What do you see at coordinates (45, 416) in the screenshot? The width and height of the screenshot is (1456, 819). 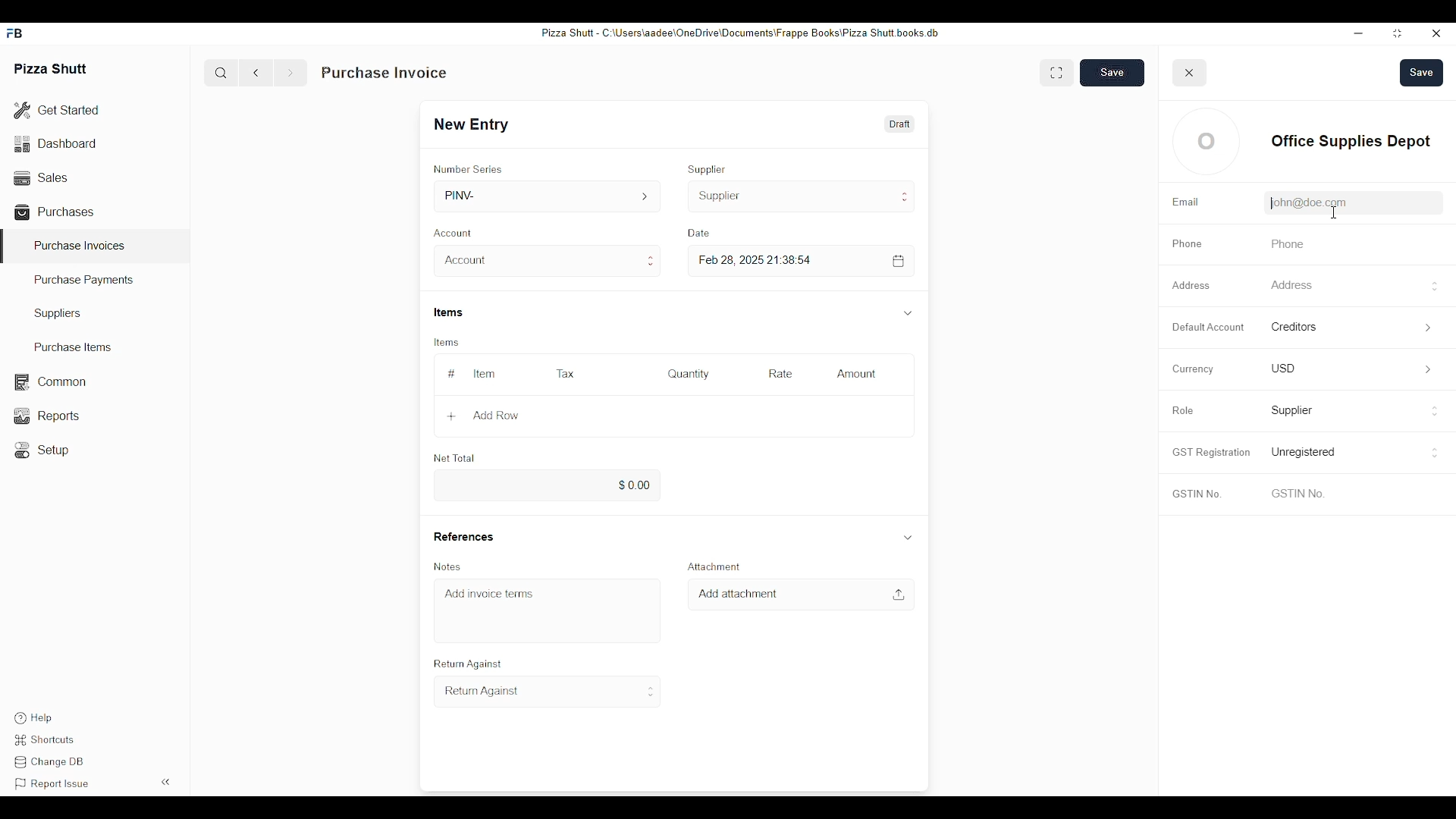 I see `Reports` at bounding box center [45, 416].